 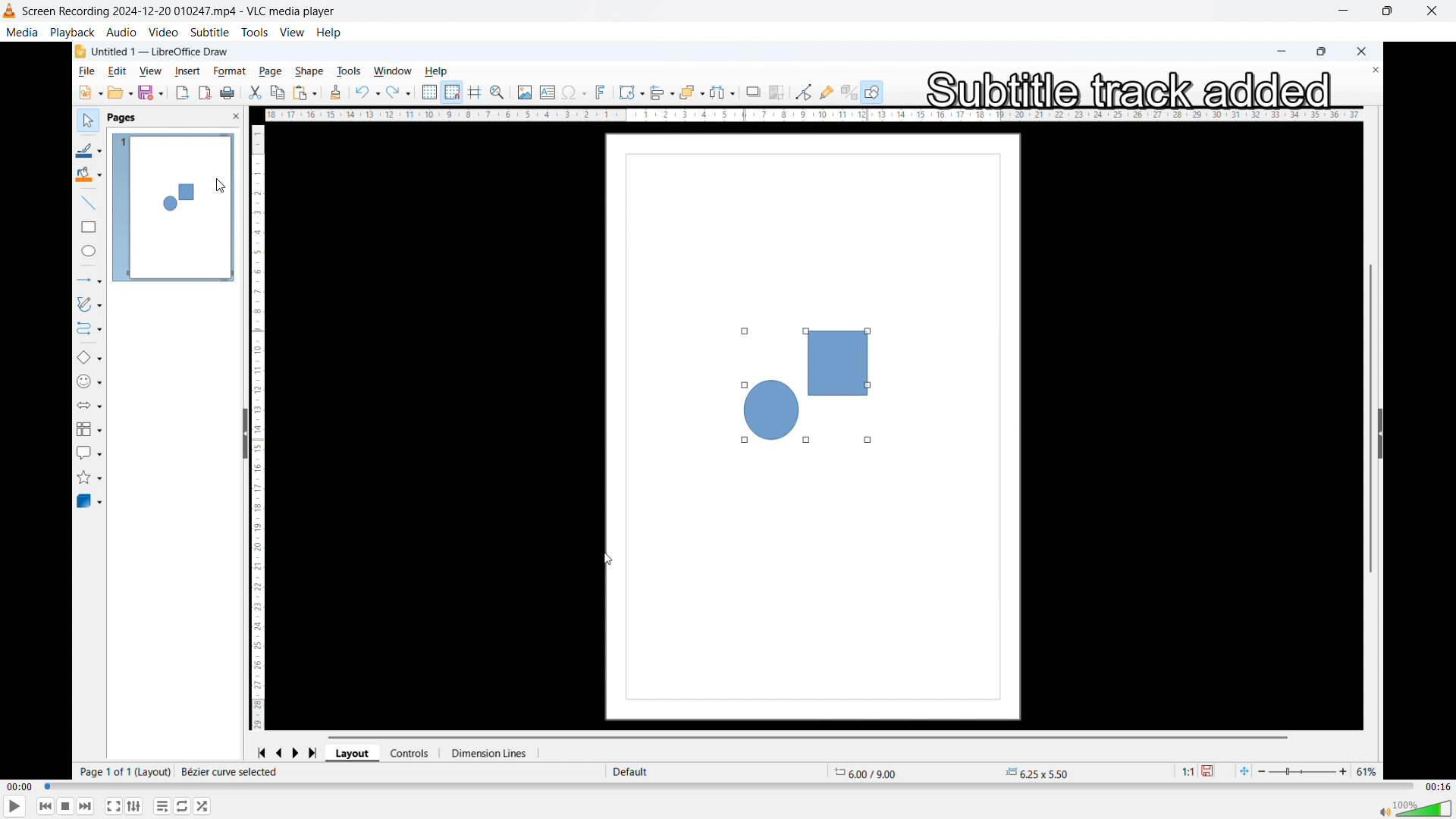 What do you see at coordinates (88, 281) in the screenshot?
I see `line and arrow` at bounding box center [88, 281].